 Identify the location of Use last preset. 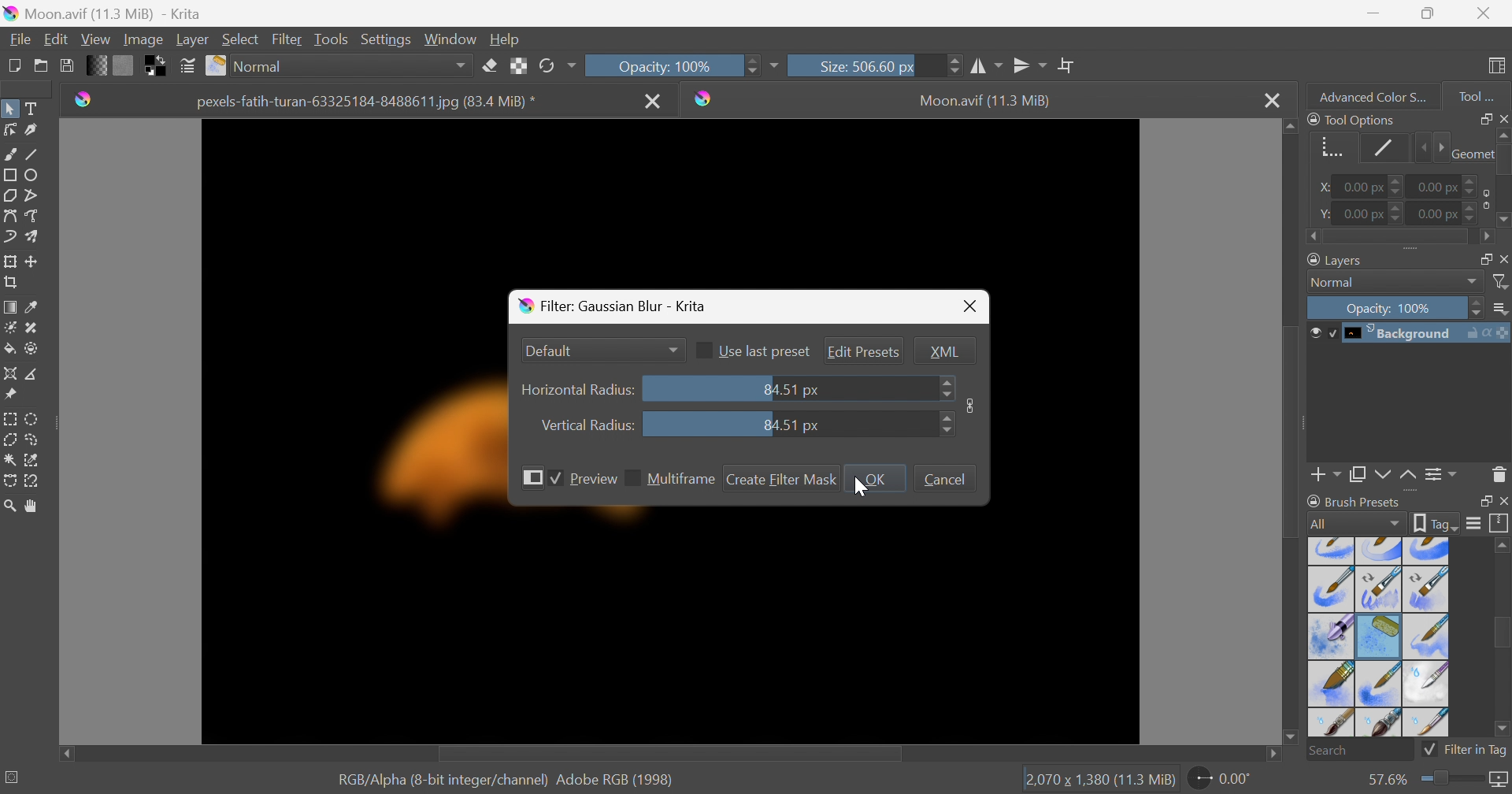
(765, 351).